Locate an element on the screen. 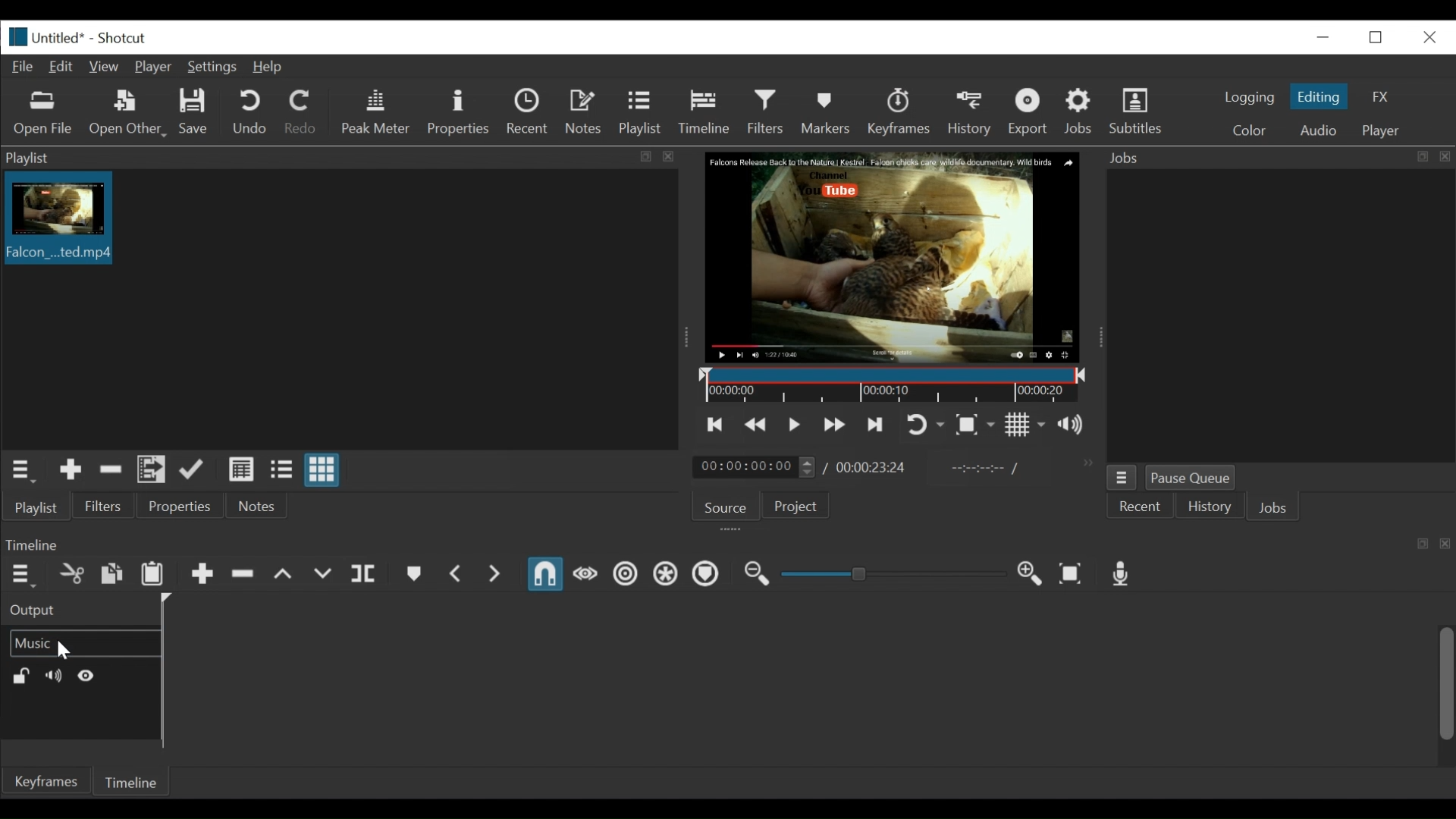 The image size is (1456, 819). Project is located at coordinates (792, 504).